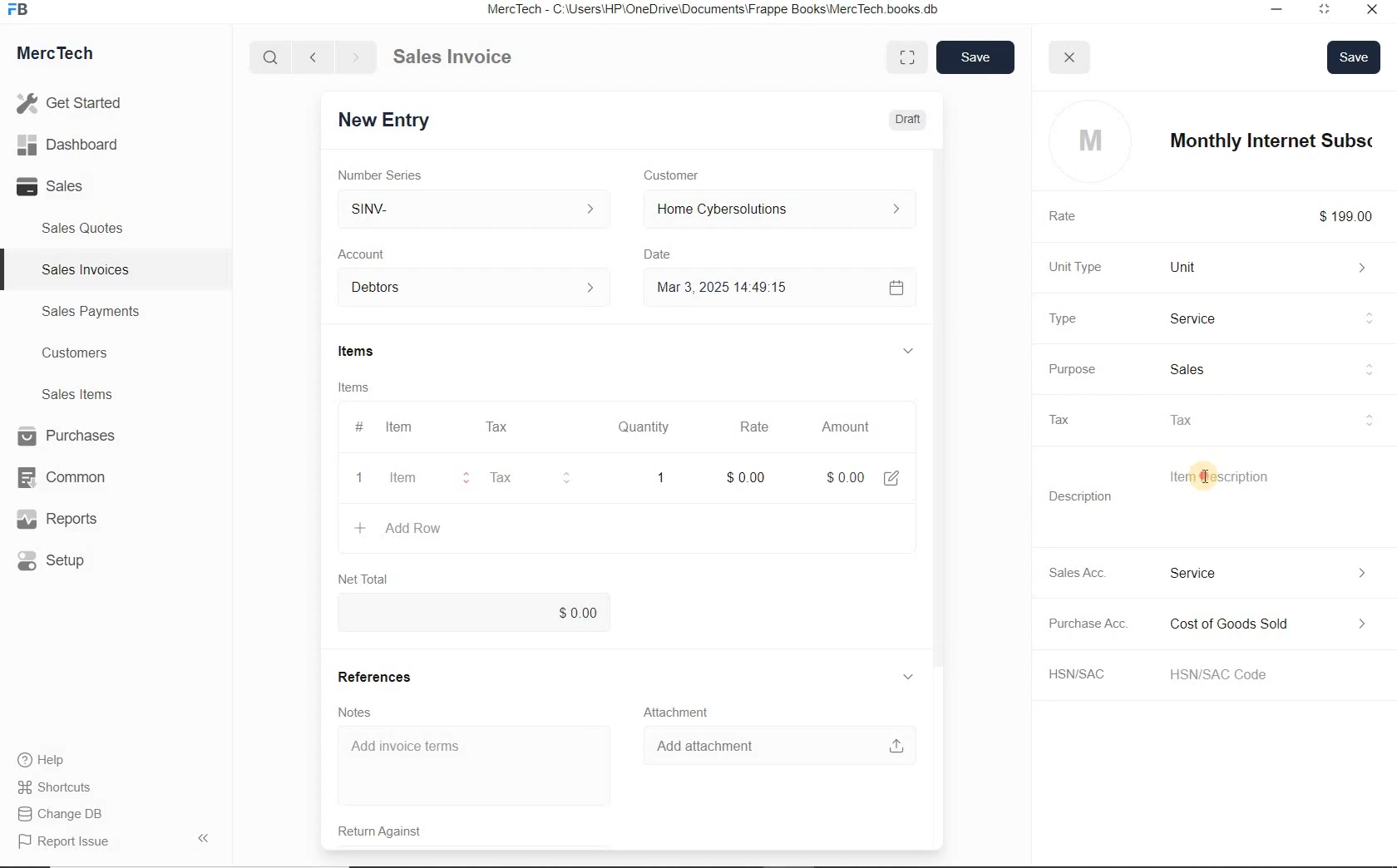  Describe the element at coordinates (892, 287) in the screenshot. I see `Calendar` at that location.